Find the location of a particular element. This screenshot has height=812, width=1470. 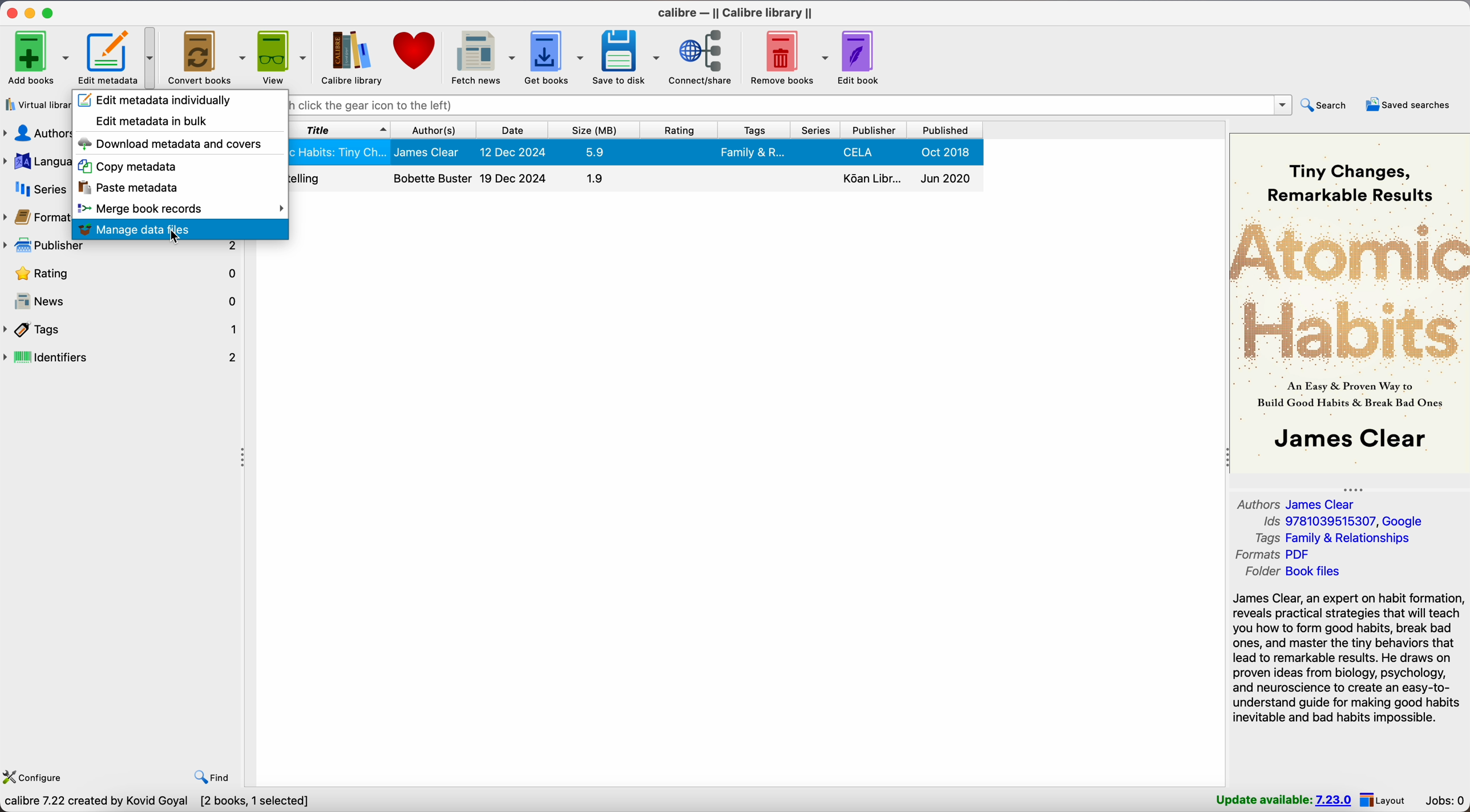

close Calibre is located at coordinates (10, 11).